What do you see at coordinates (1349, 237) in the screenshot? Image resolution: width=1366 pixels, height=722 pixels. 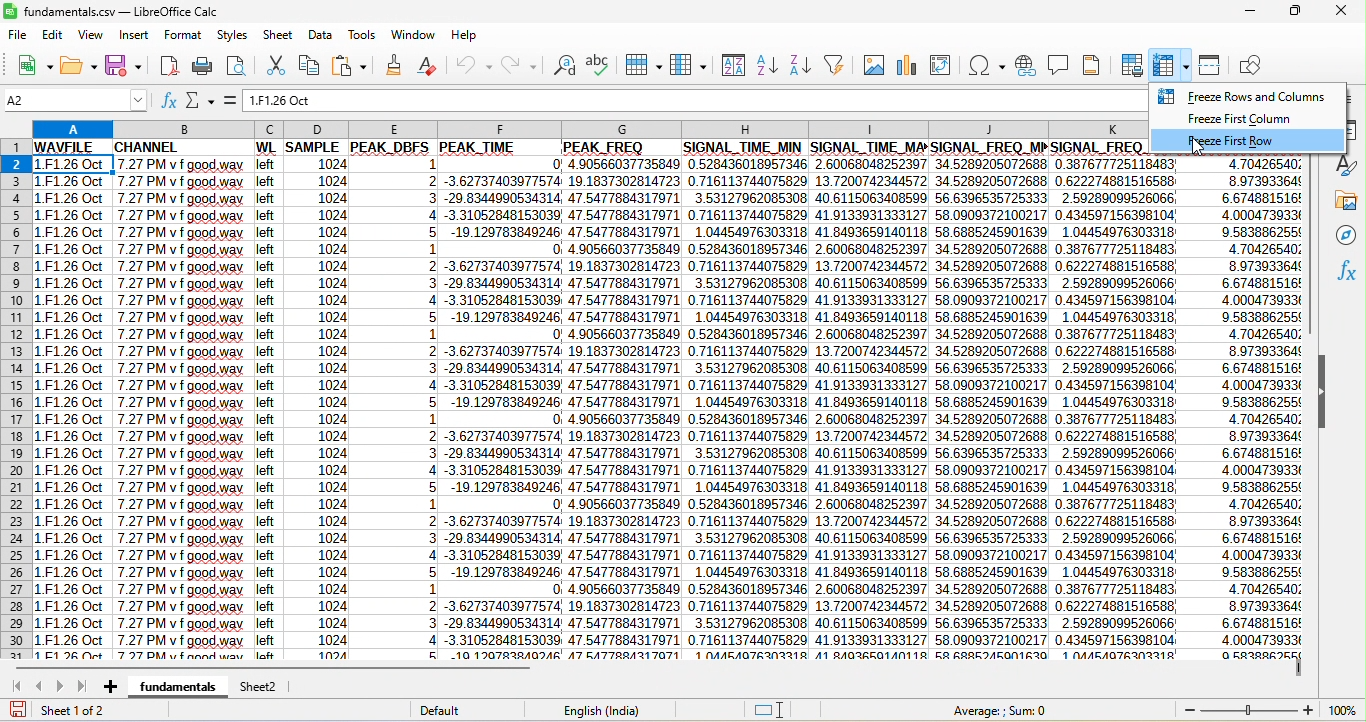 I see `navigator` at bounding box center [1349, 237].